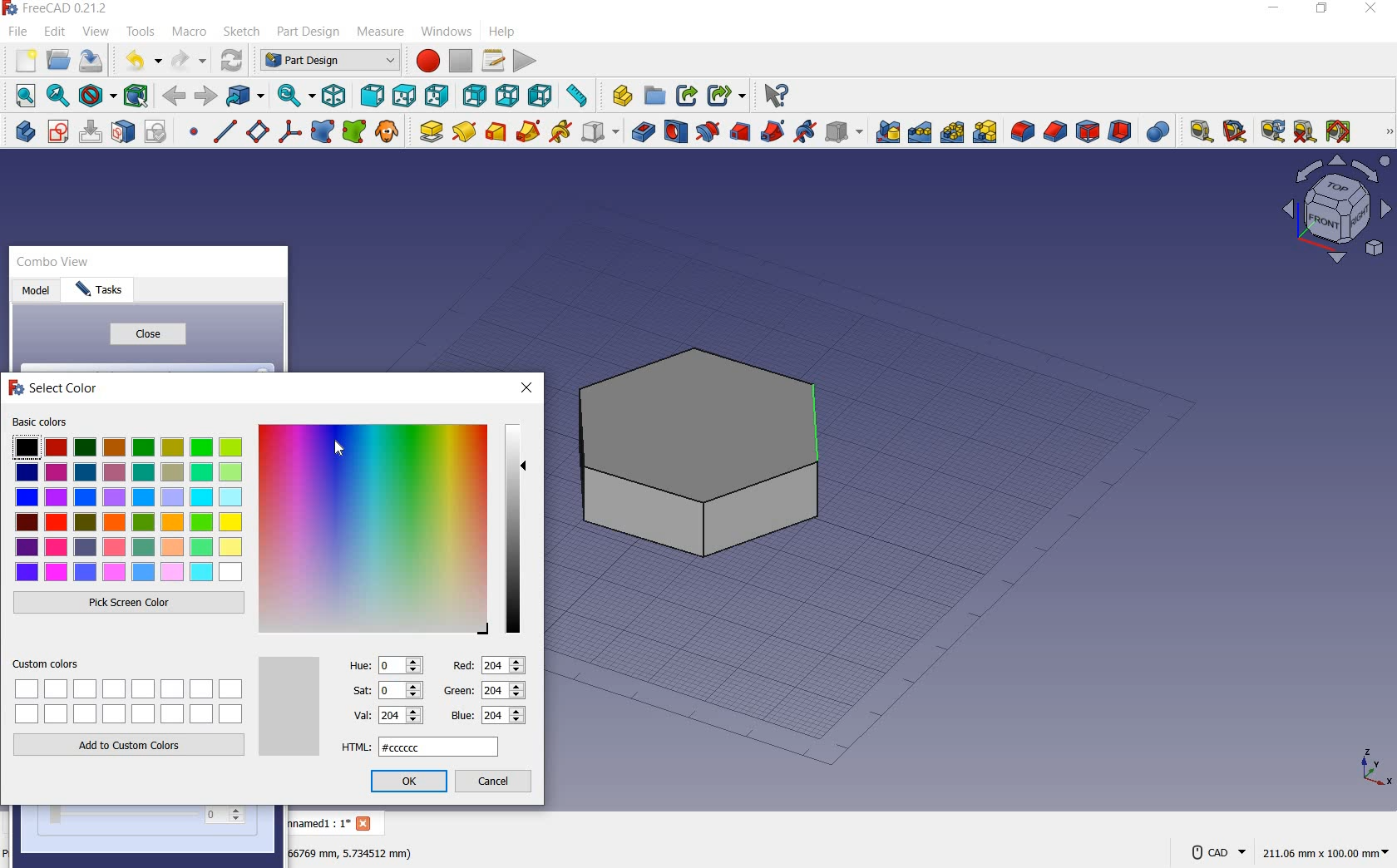 Image resolution: width=1397 pixels, height=868 pixels. I want to click on edit, so click(53, 31).